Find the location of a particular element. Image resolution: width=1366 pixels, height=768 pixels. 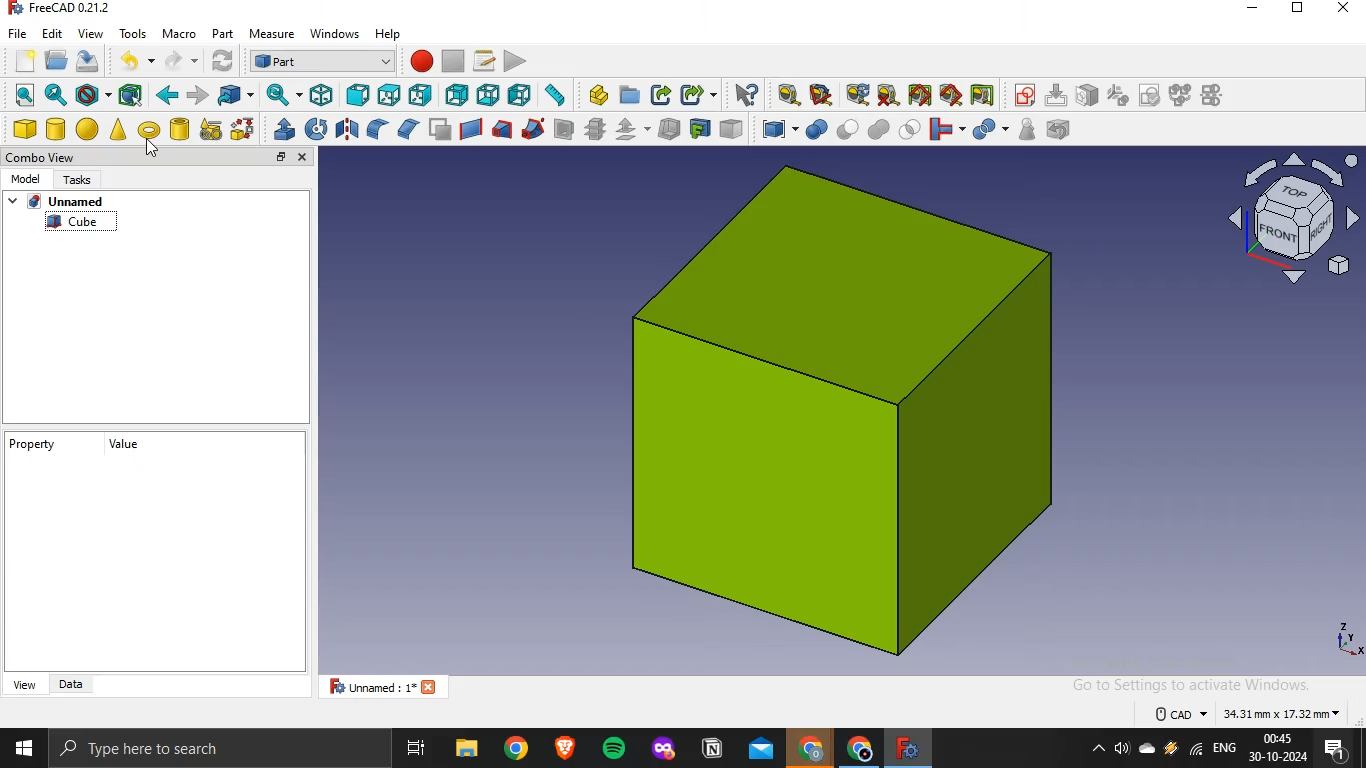

property is located at coordinates (39, 444).